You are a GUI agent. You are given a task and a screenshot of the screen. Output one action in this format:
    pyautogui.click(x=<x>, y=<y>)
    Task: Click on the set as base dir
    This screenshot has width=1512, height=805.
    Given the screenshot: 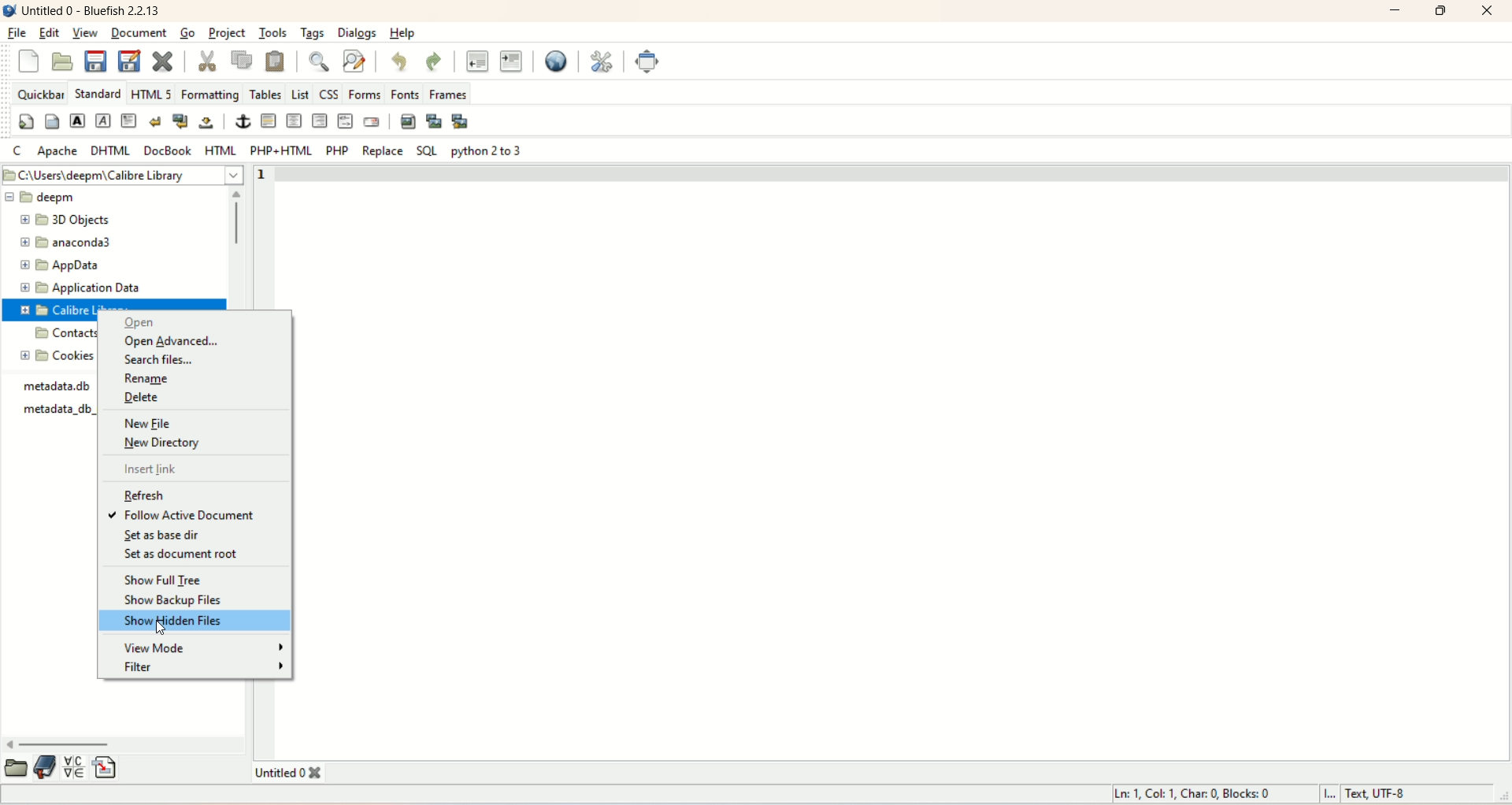 What is the action you would take?
    pyautogui.click(x=162, y=537)
    